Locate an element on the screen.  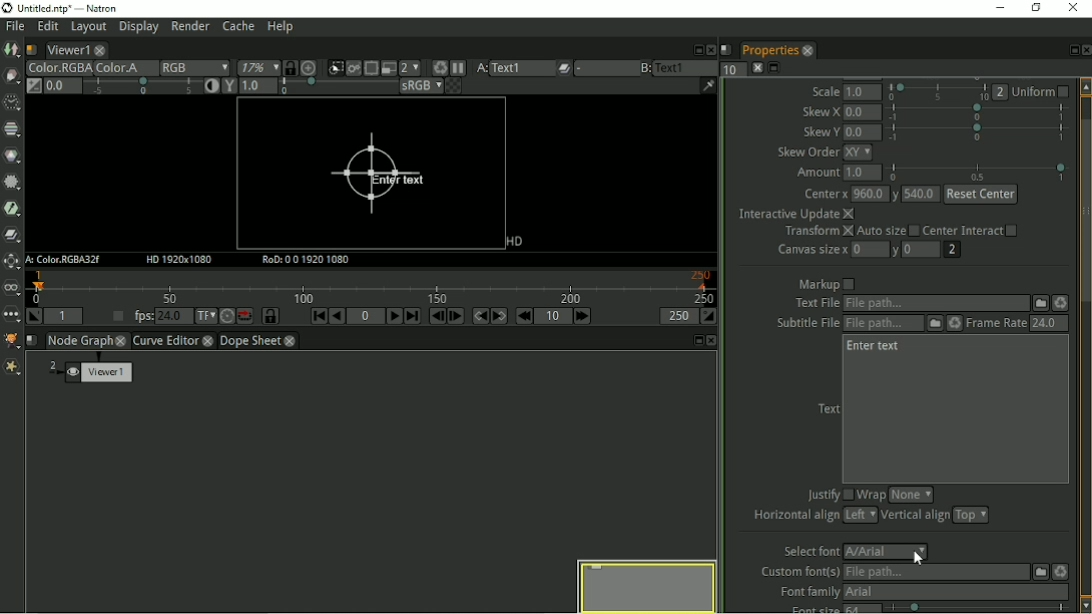
Synchronize timeline frame is located at coordinates (271, 316).